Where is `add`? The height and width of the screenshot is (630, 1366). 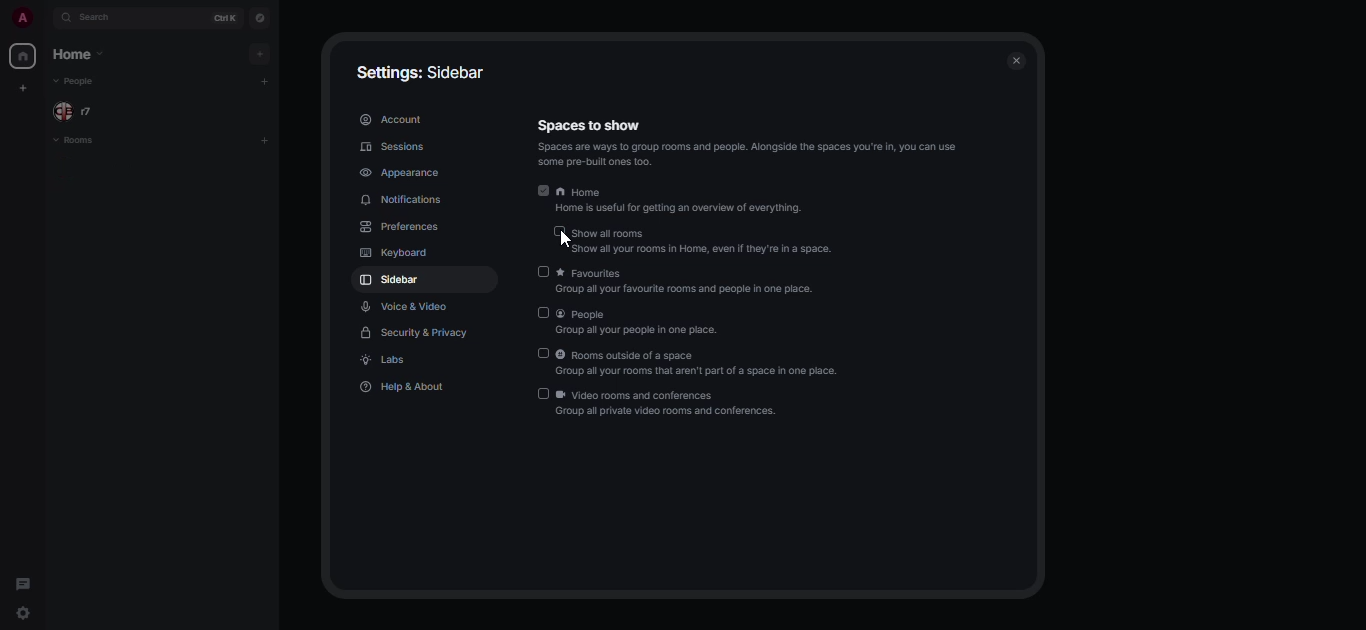
add is located at coordinates (267, 82).